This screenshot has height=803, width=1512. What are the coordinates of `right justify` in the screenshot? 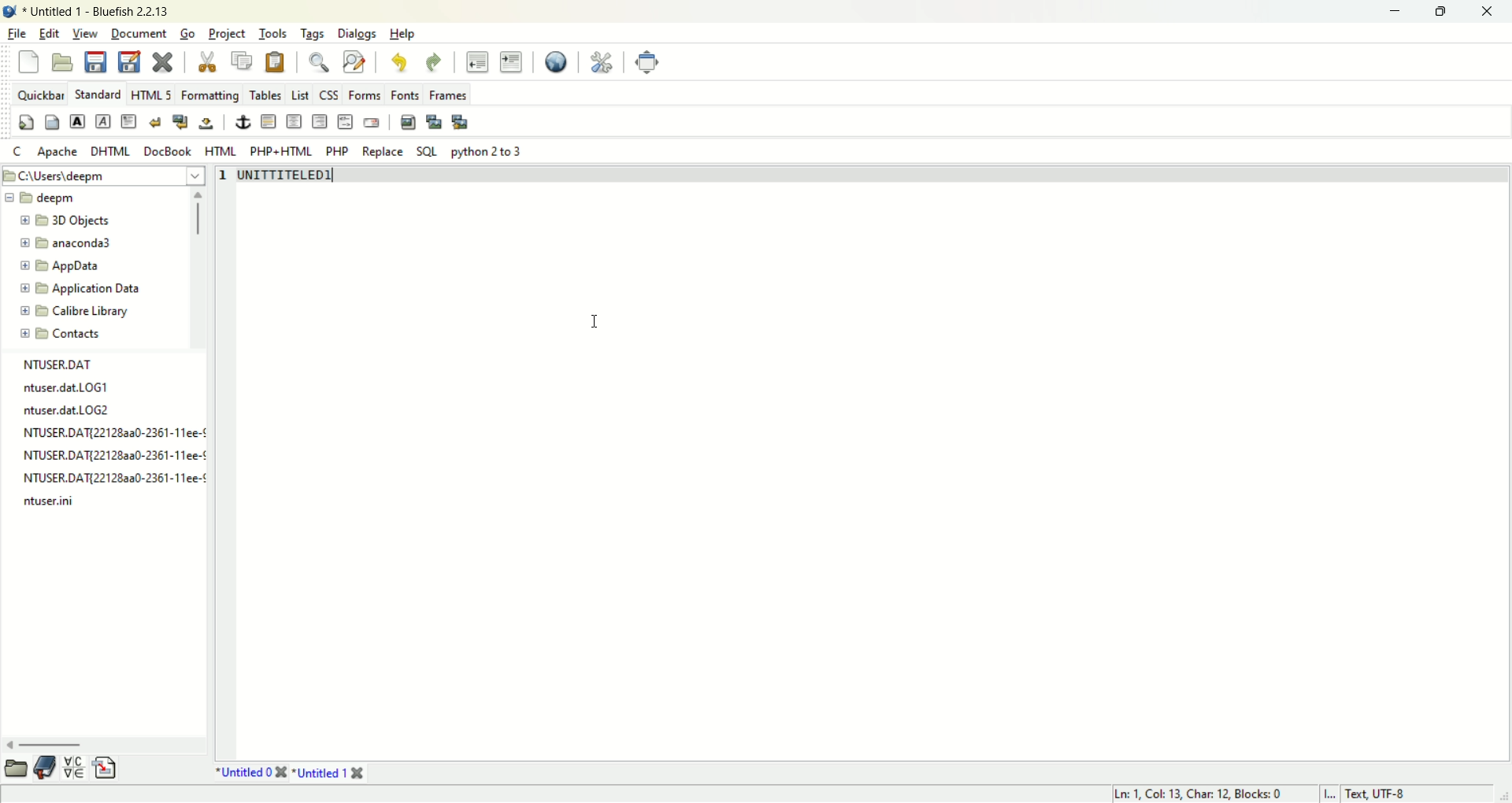 It's located at (319, 121).